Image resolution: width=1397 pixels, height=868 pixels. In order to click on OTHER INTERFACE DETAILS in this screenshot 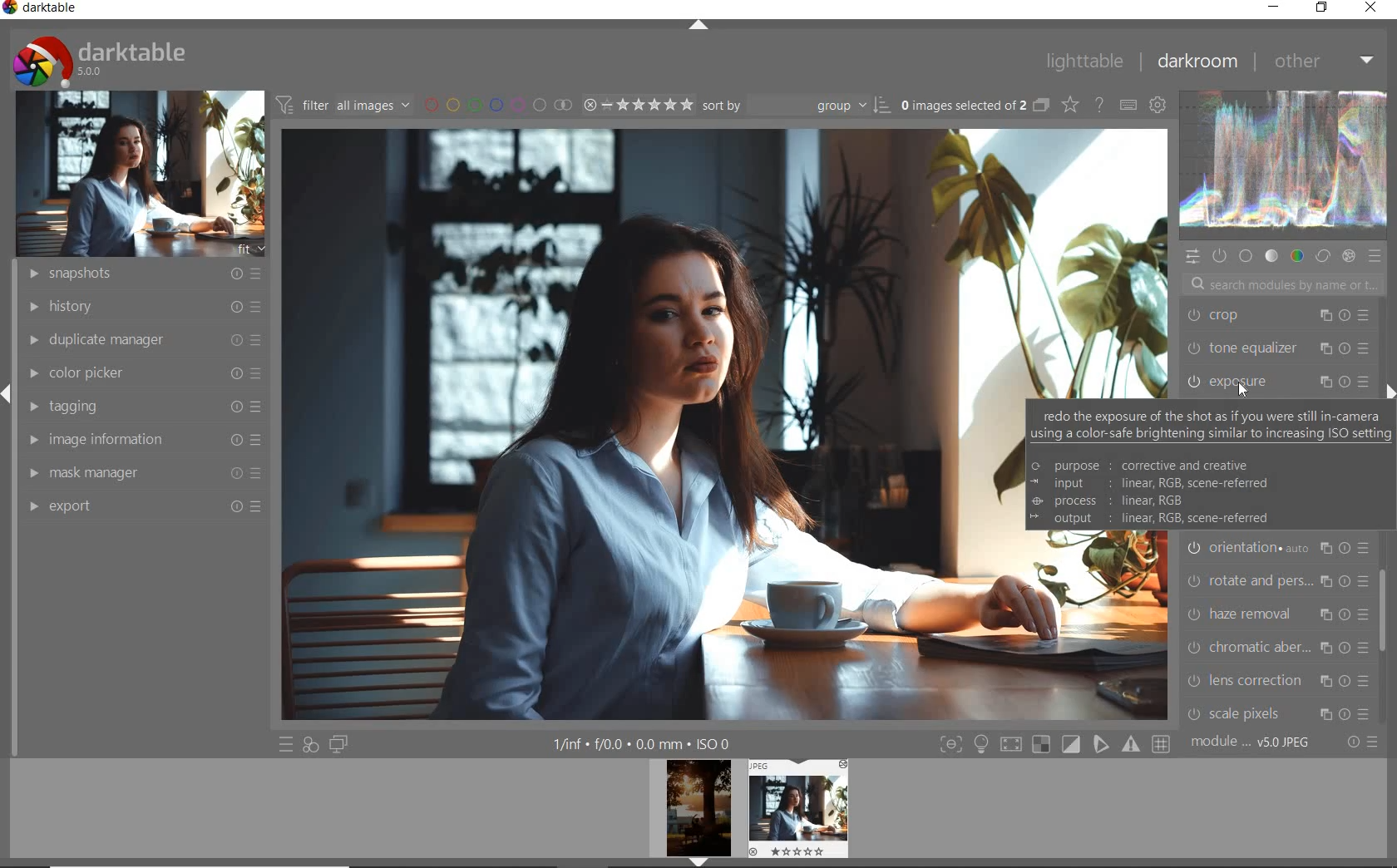, I will do `click(643, 744)`.